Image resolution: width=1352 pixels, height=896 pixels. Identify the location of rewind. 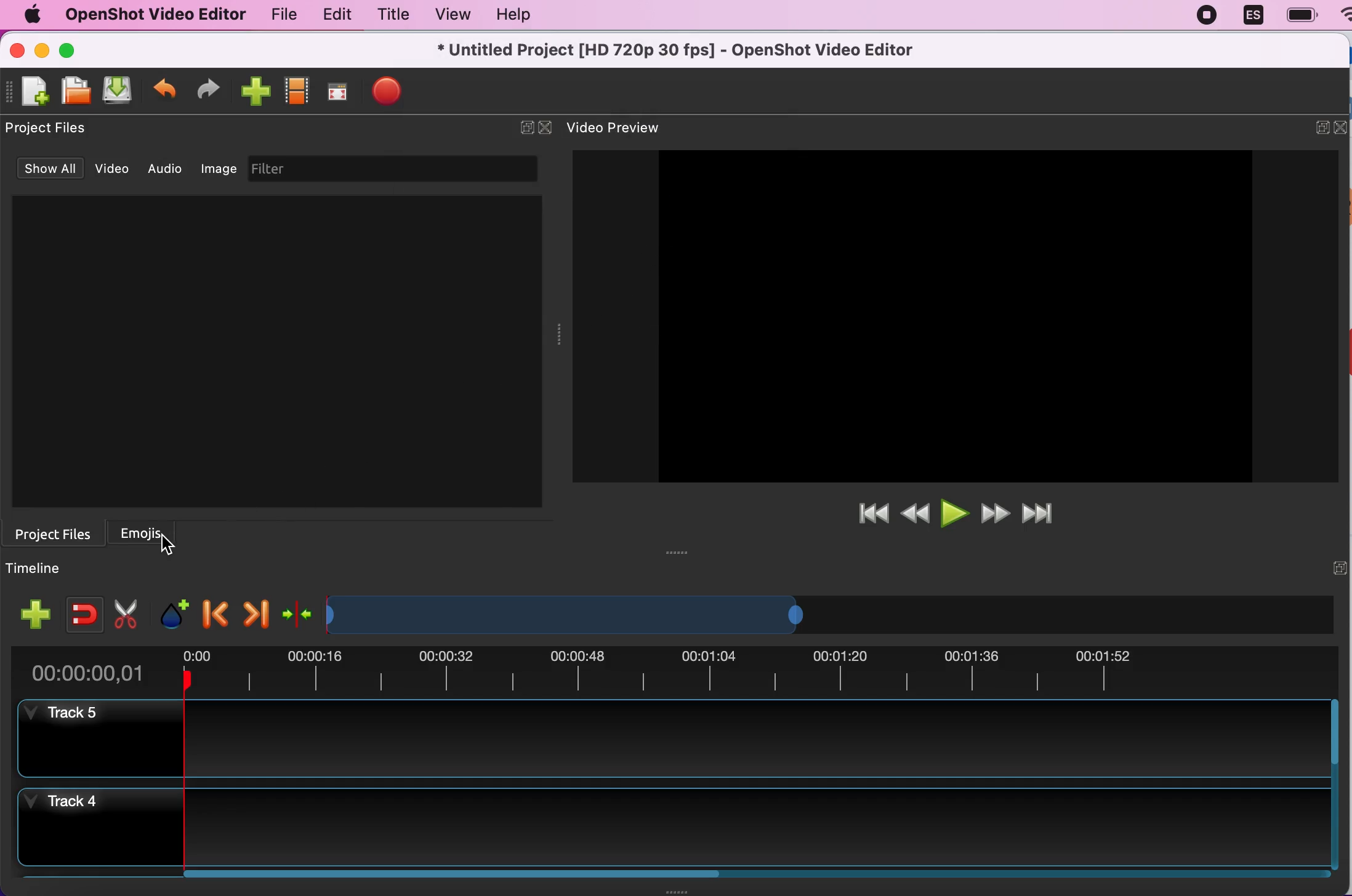
(915, 514).